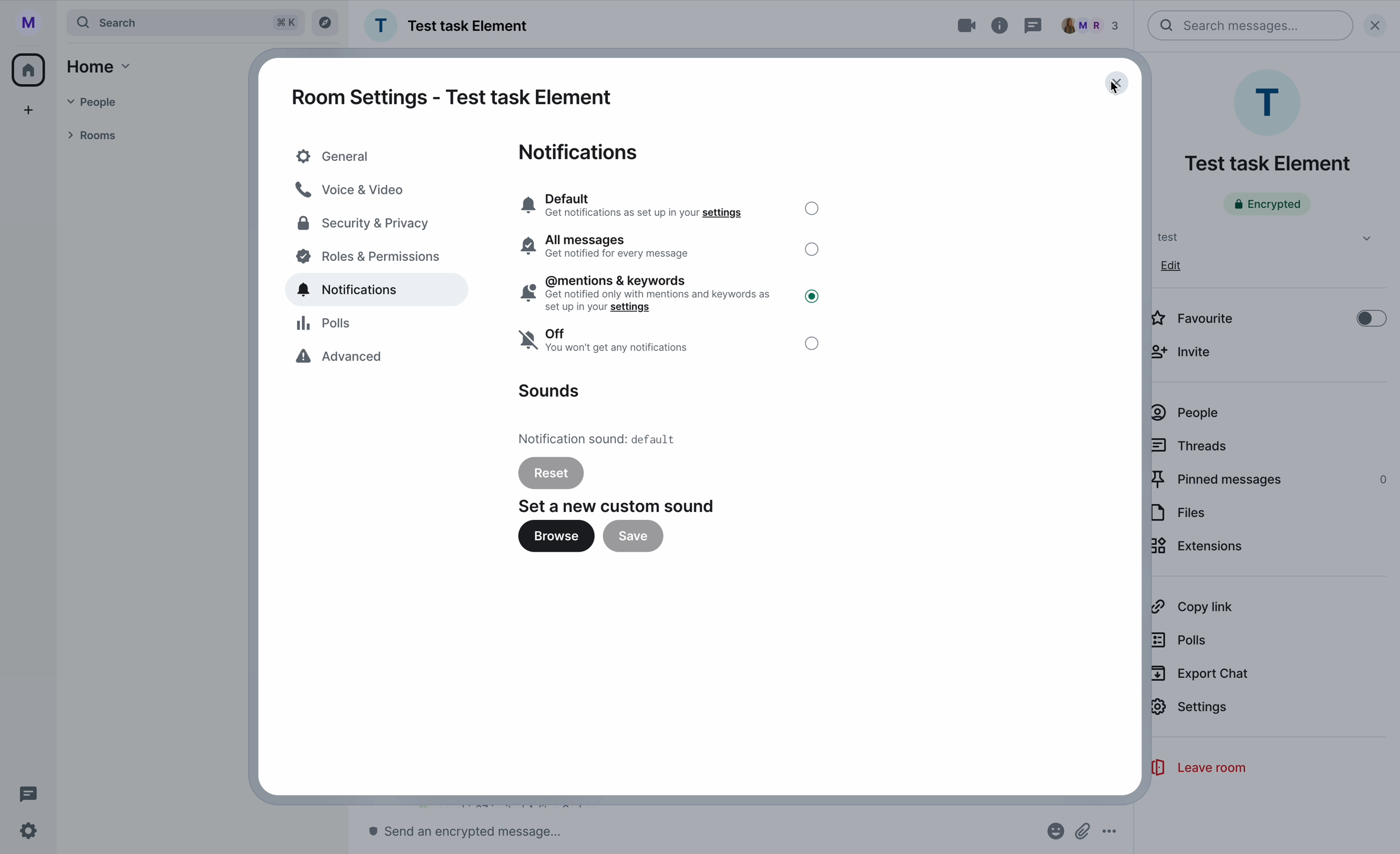  Describe the element at coordinates (1186, 351) in the screenshot. I see `invite` at that location.